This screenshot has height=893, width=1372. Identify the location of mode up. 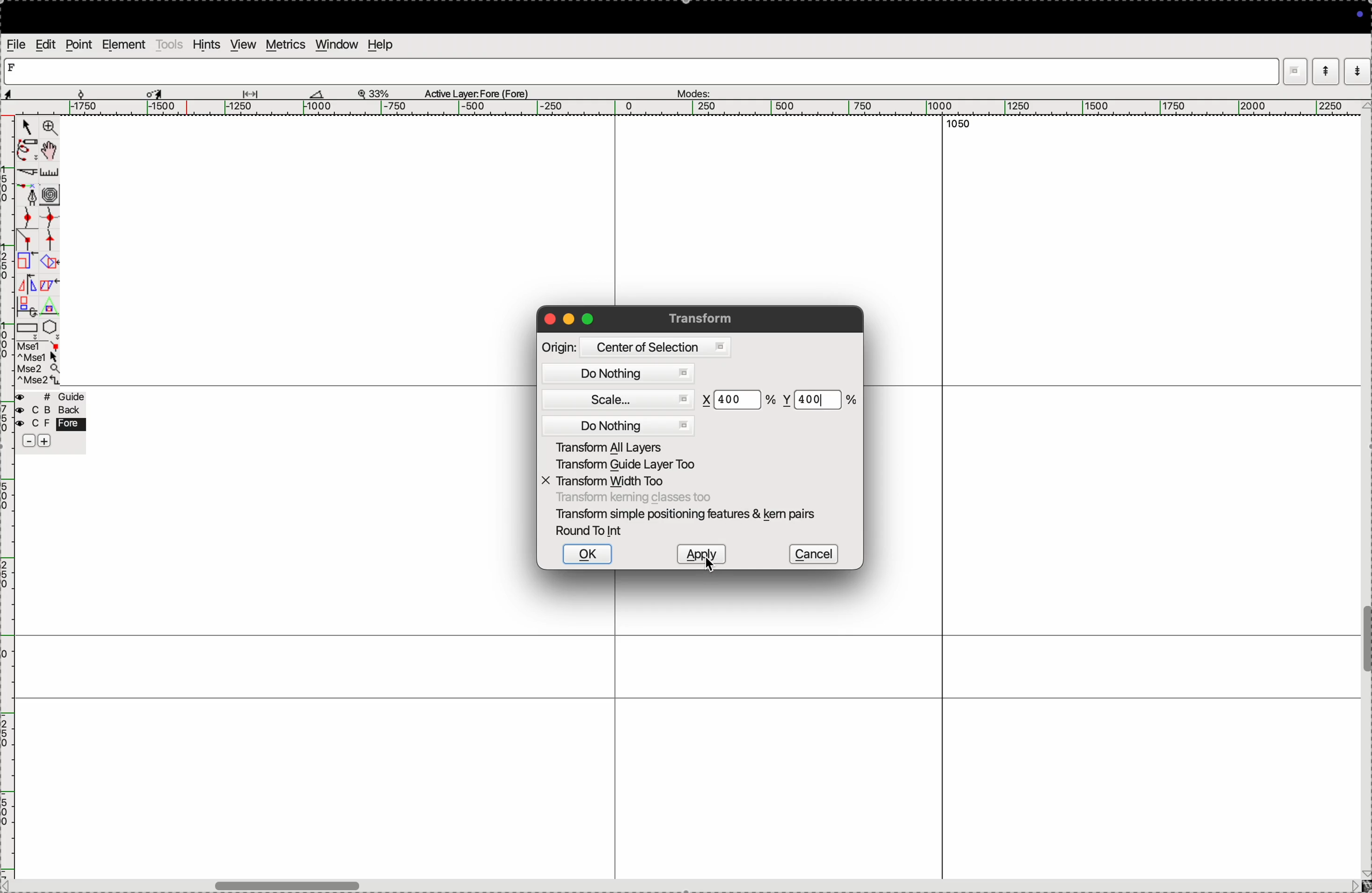
(1324, 71).